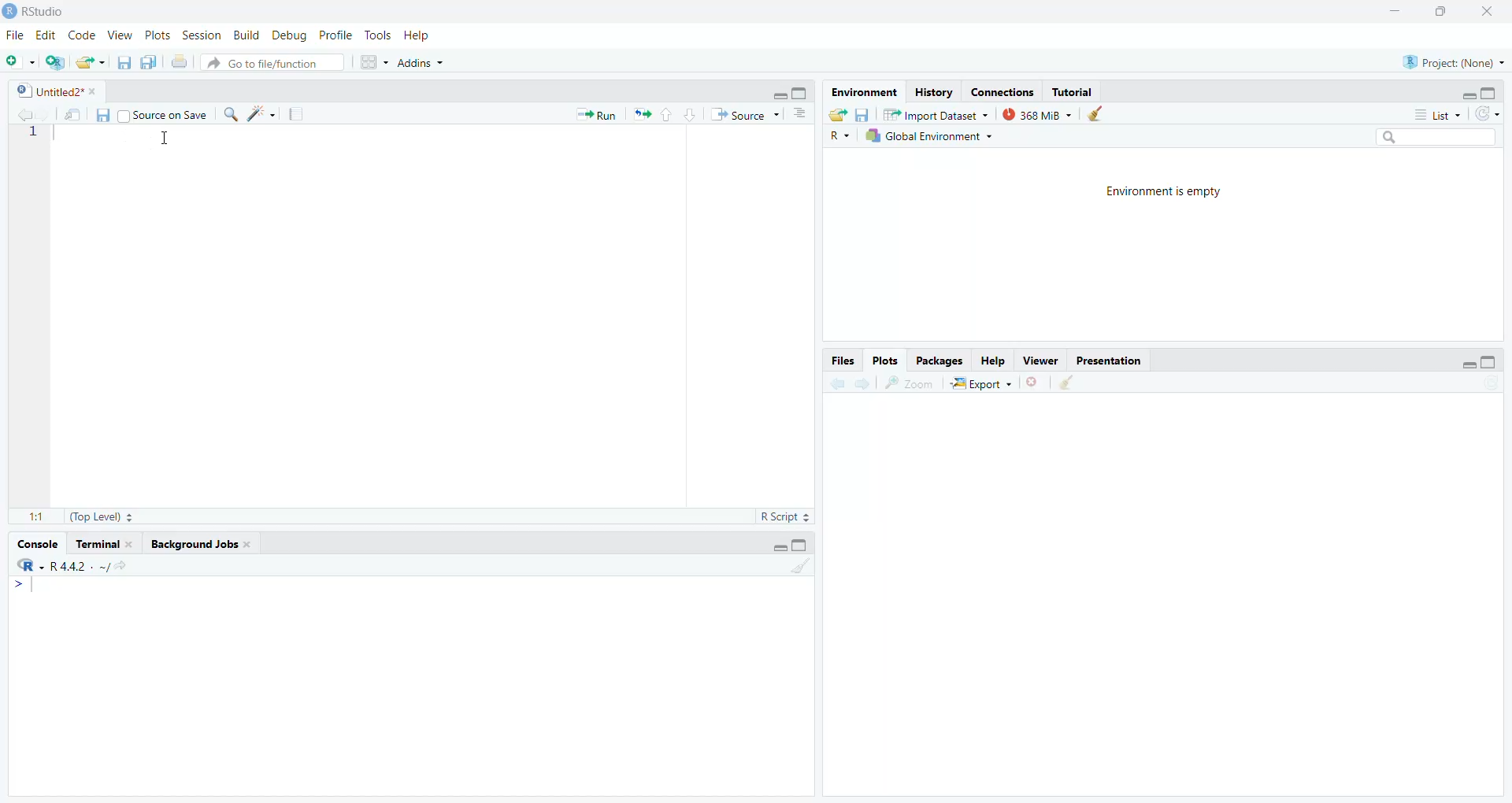  I want to click on maximise, so click(1492, 361).